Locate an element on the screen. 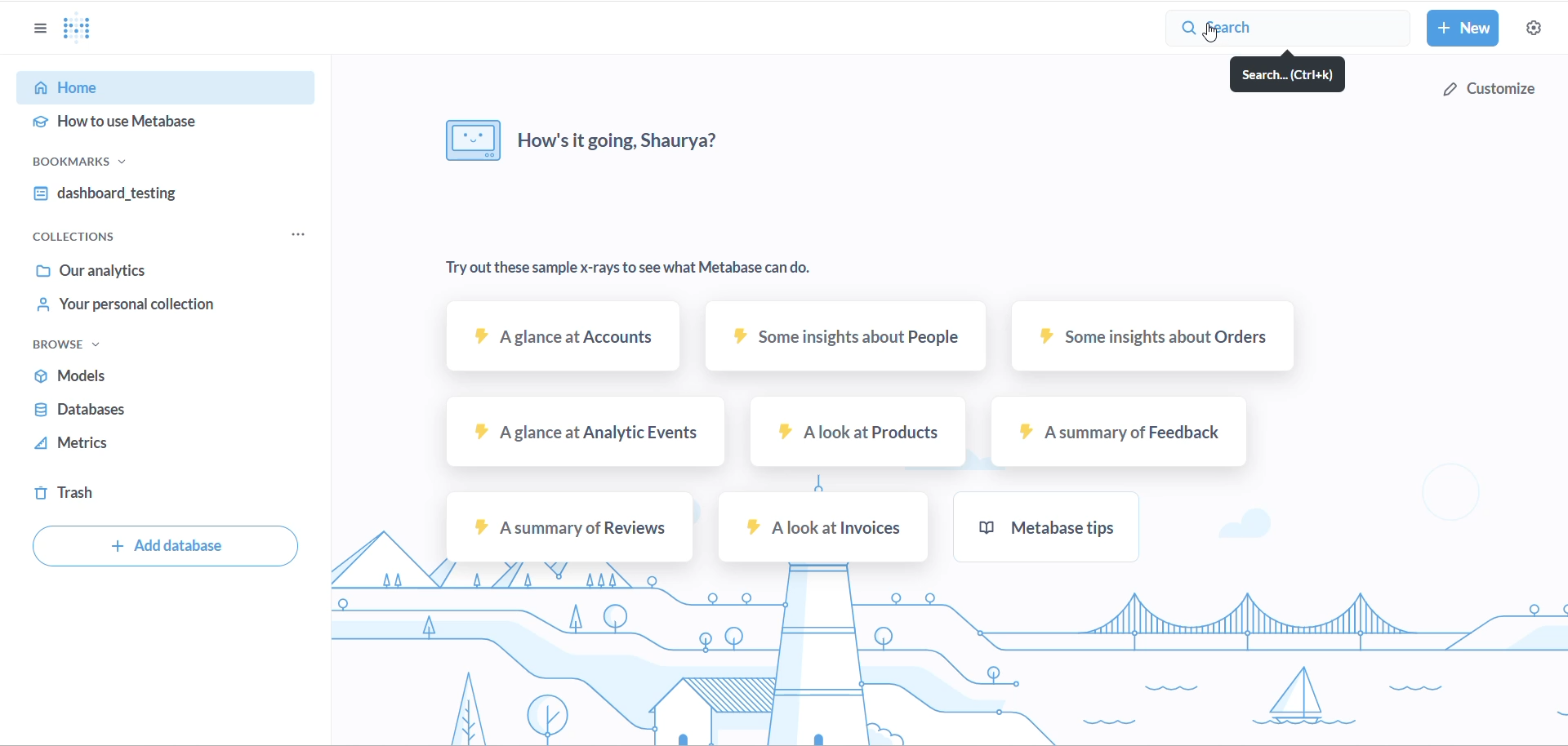 The image size is (1568, 746). some insights about order sample is located at coordinates (1150, 336).